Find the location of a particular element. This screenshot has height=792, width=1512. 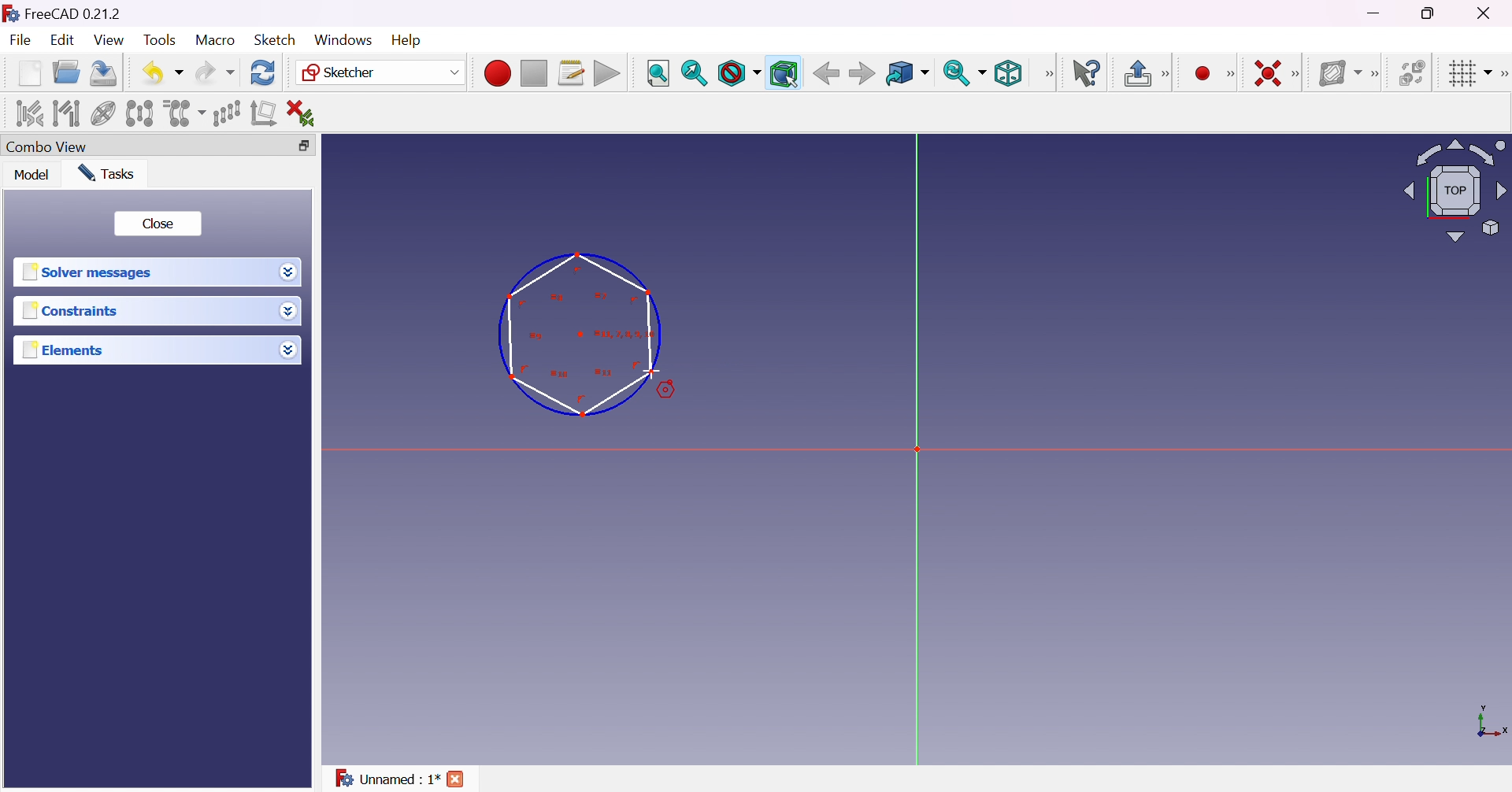

Leave sketch is located at coordinates (1136, 73).